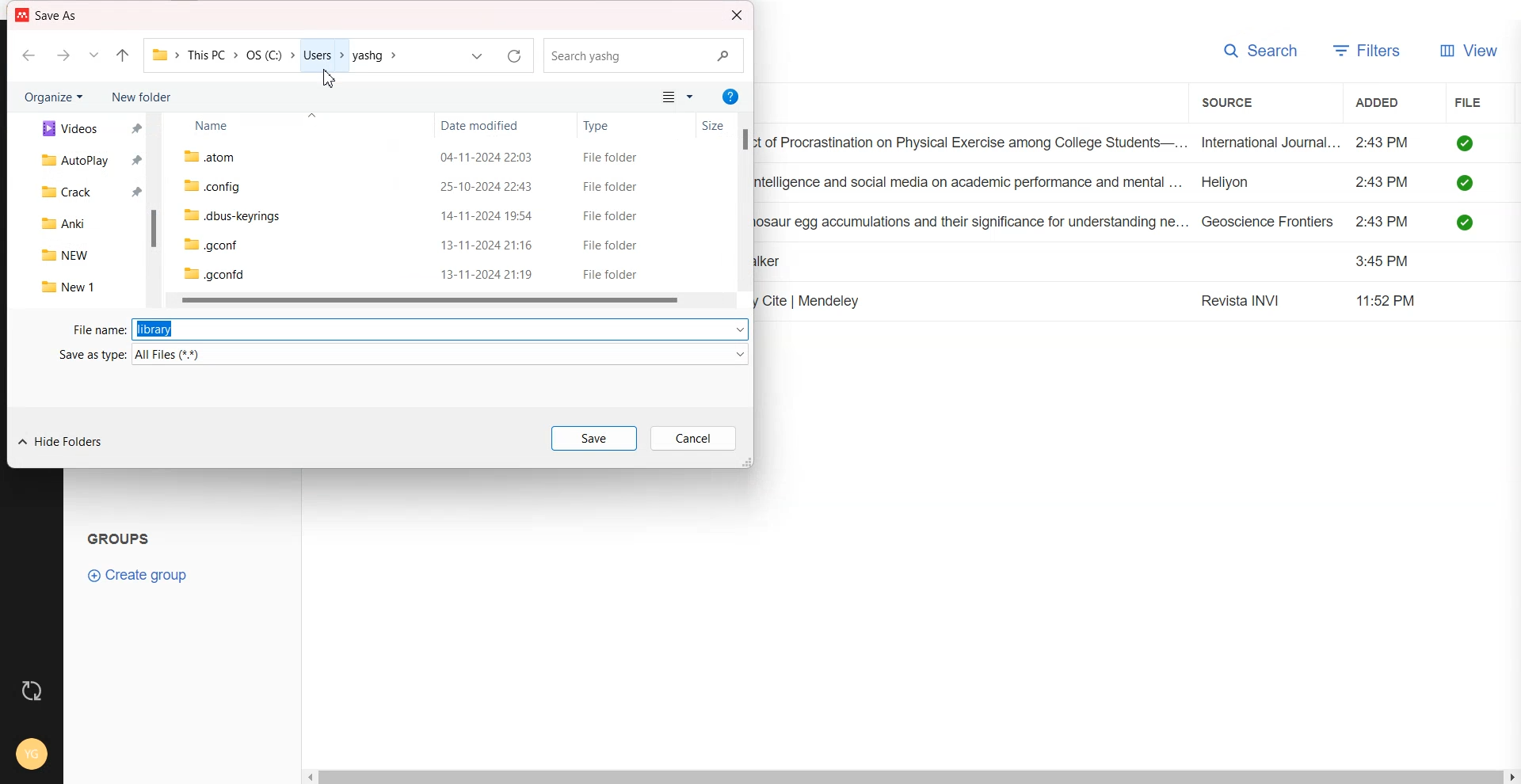 The image size is (1521, 784). What do you see at coordinates (90, 255) in the screenshot?
I see `NEW` at bounding box center [90, 255].